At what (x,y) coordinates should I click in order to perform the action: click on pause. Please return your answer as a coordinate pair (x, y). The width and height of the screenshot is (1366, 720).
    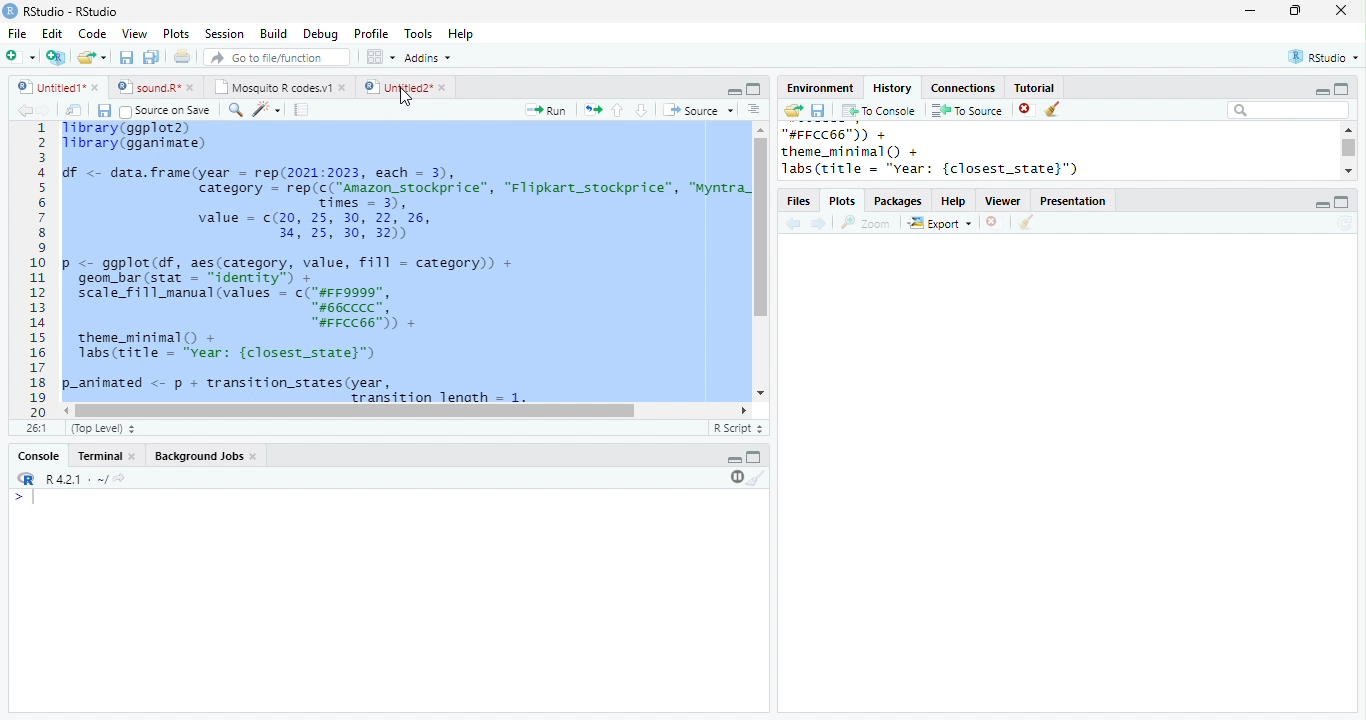
    Looking at the image, I should click on (735, 478).